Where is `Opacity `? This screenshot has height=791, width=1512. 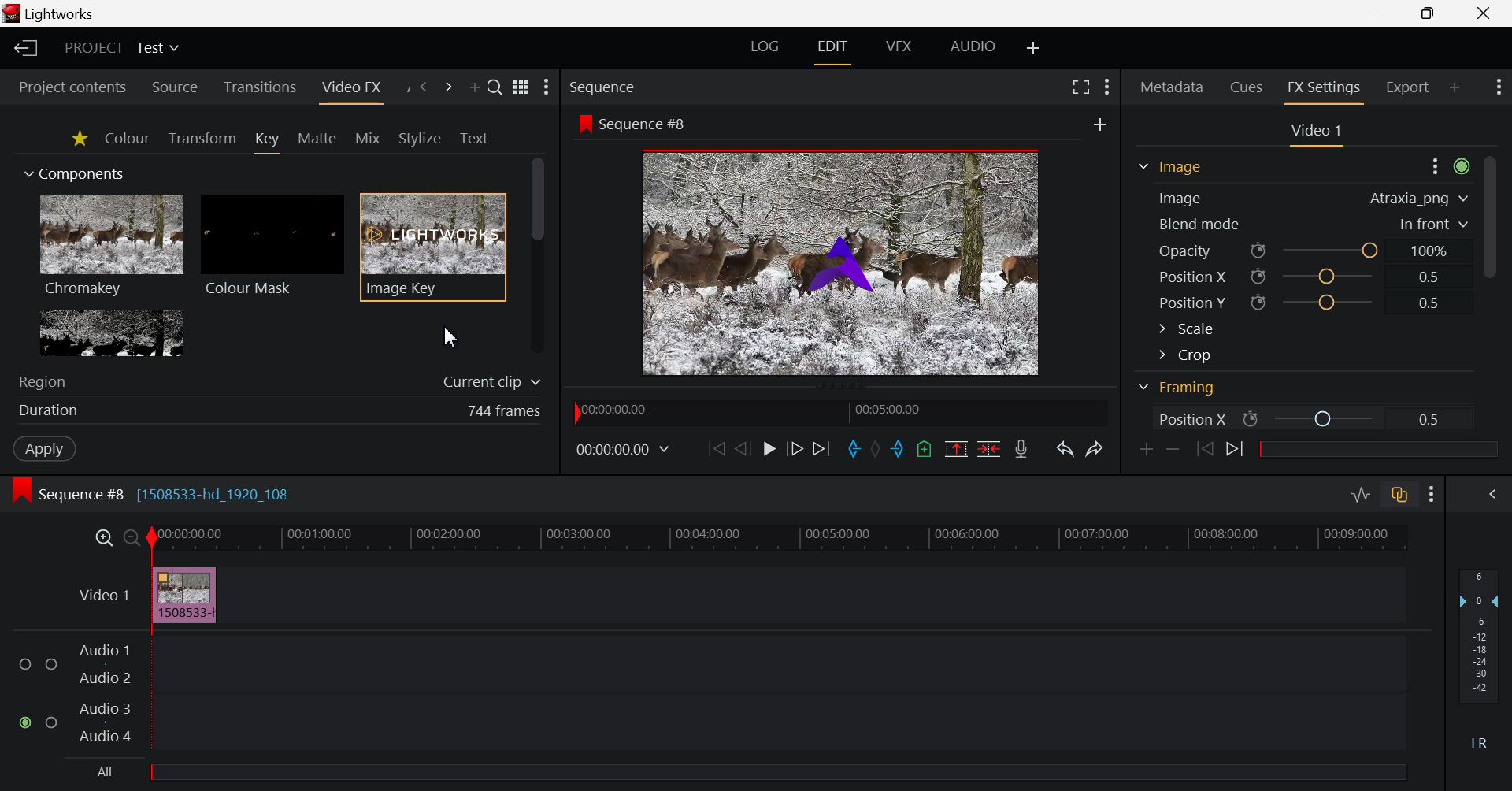 Opacity  is located at coordinates (1331, 251).